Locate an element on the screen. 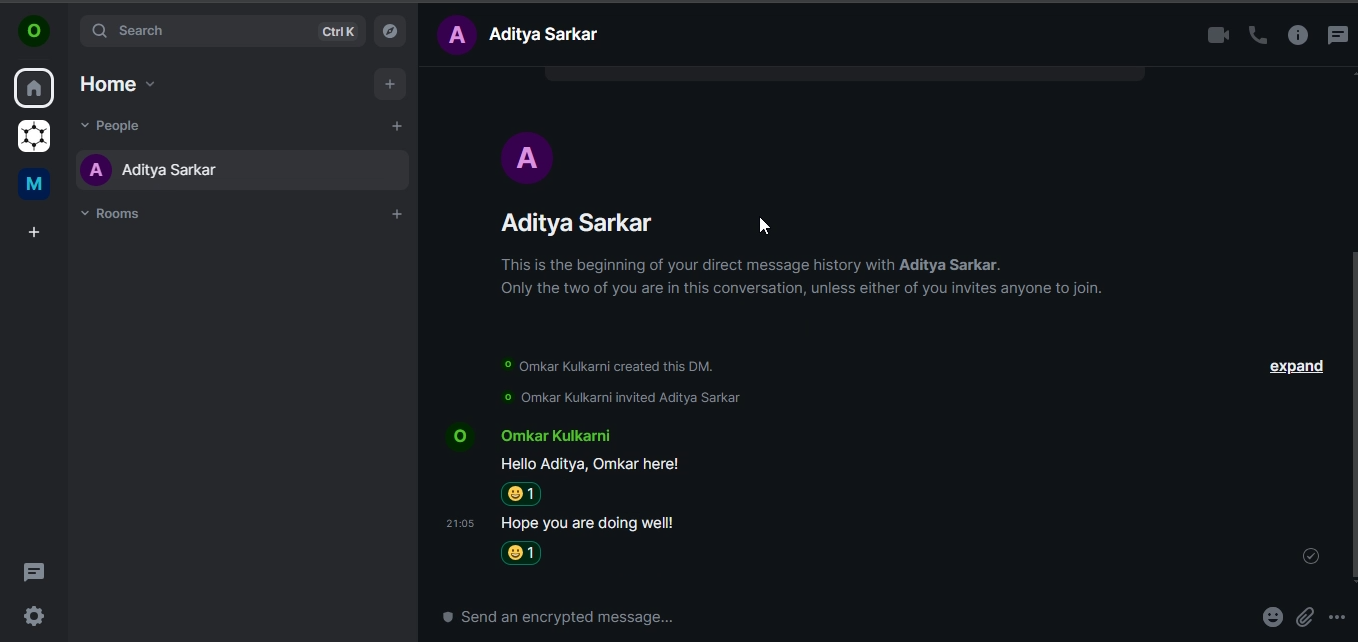 The height and width of the screenshot is (642, 1358). me is located at coordinates (32, 184).